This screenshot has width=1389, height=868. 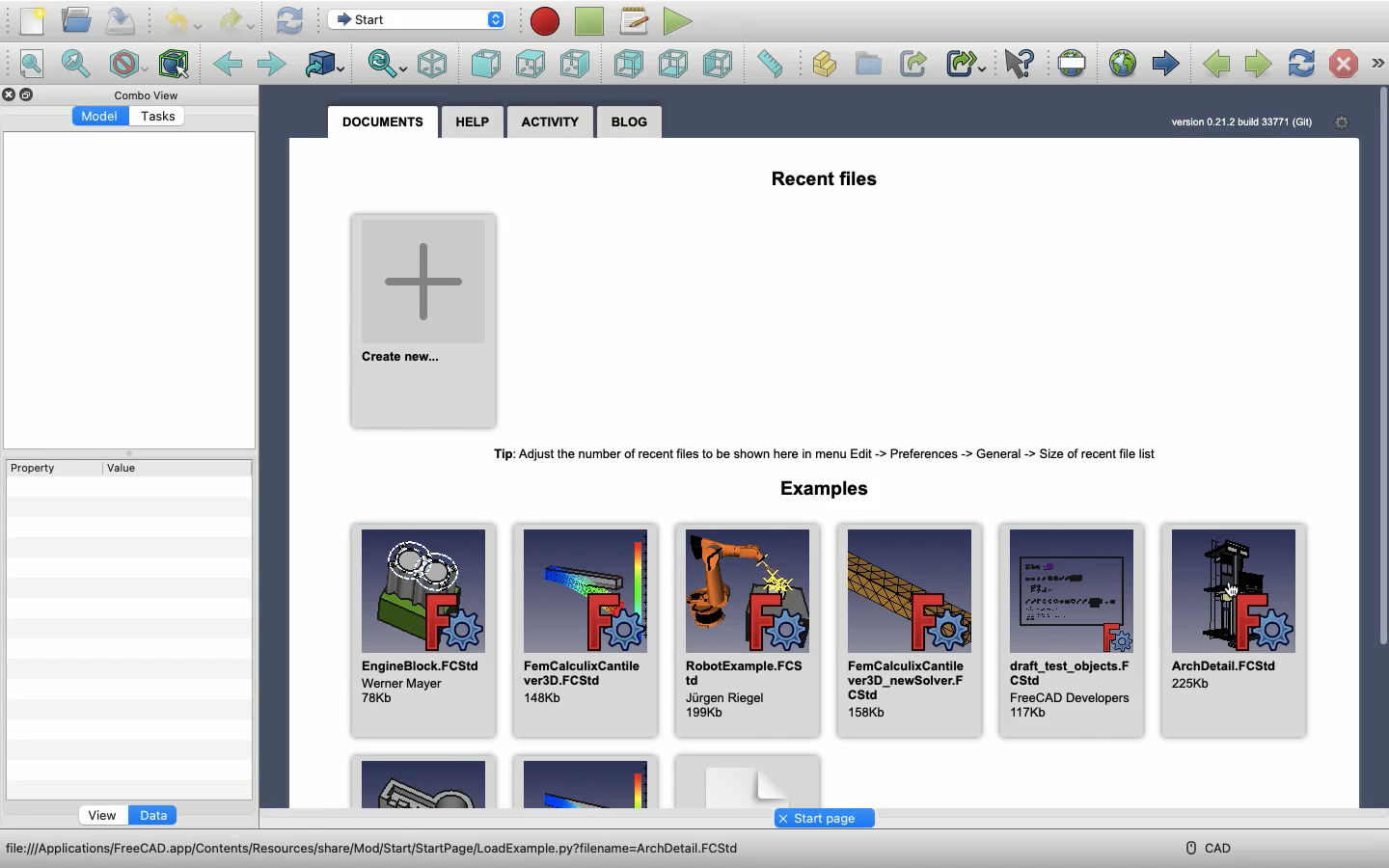 What do you see at coordinates (484, 62) in the screenshot?
I see `Front` at bounding box center [484, 62].